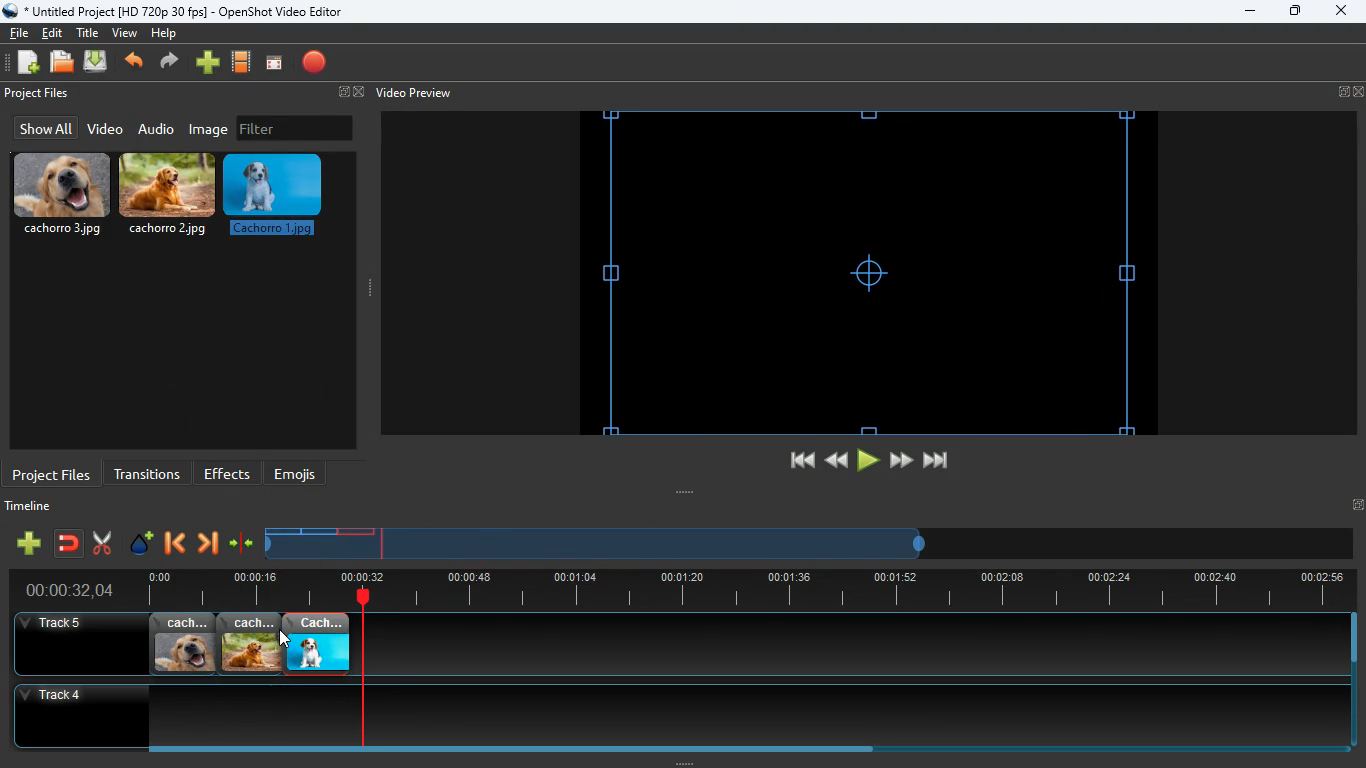  I want to click on cachorro.2.jpg, so click(169, 199).